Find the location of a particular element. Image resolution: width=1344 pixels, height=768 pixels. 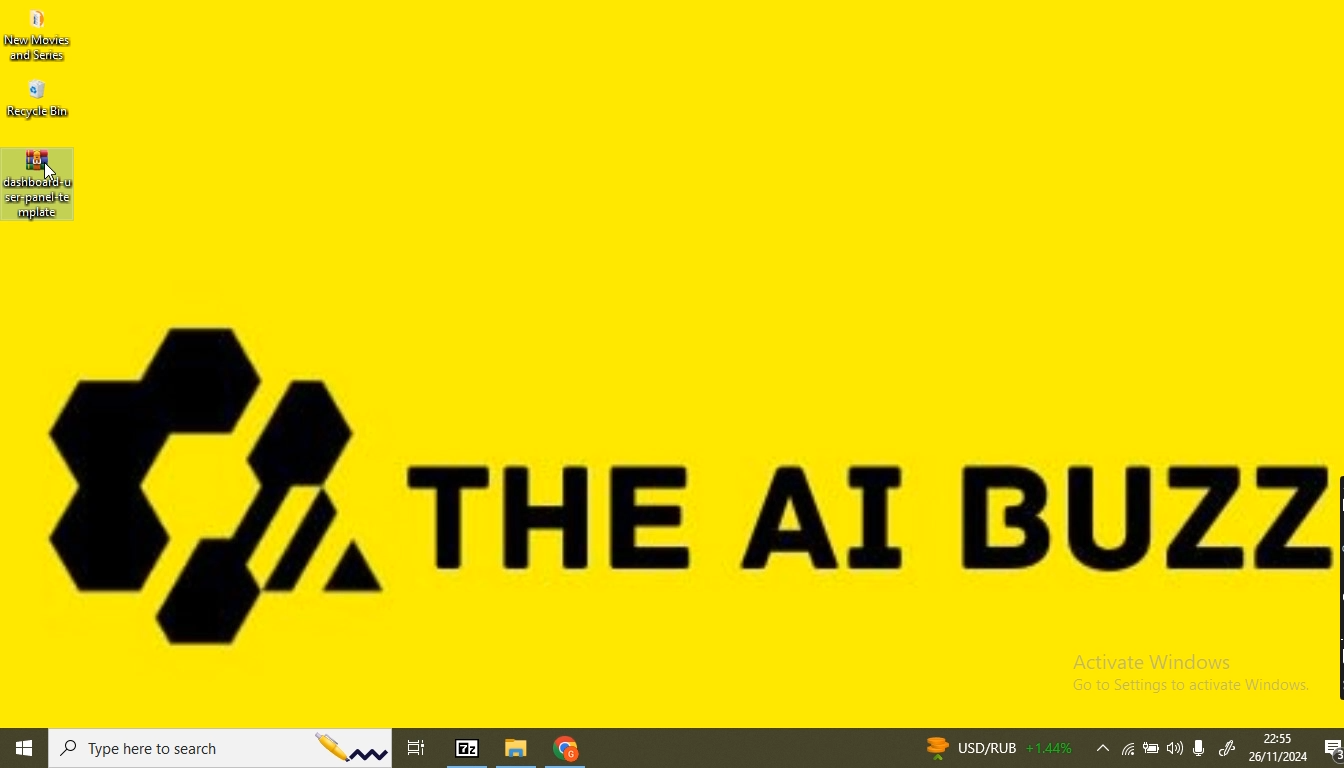

windows is located at coordinates (25, 750).